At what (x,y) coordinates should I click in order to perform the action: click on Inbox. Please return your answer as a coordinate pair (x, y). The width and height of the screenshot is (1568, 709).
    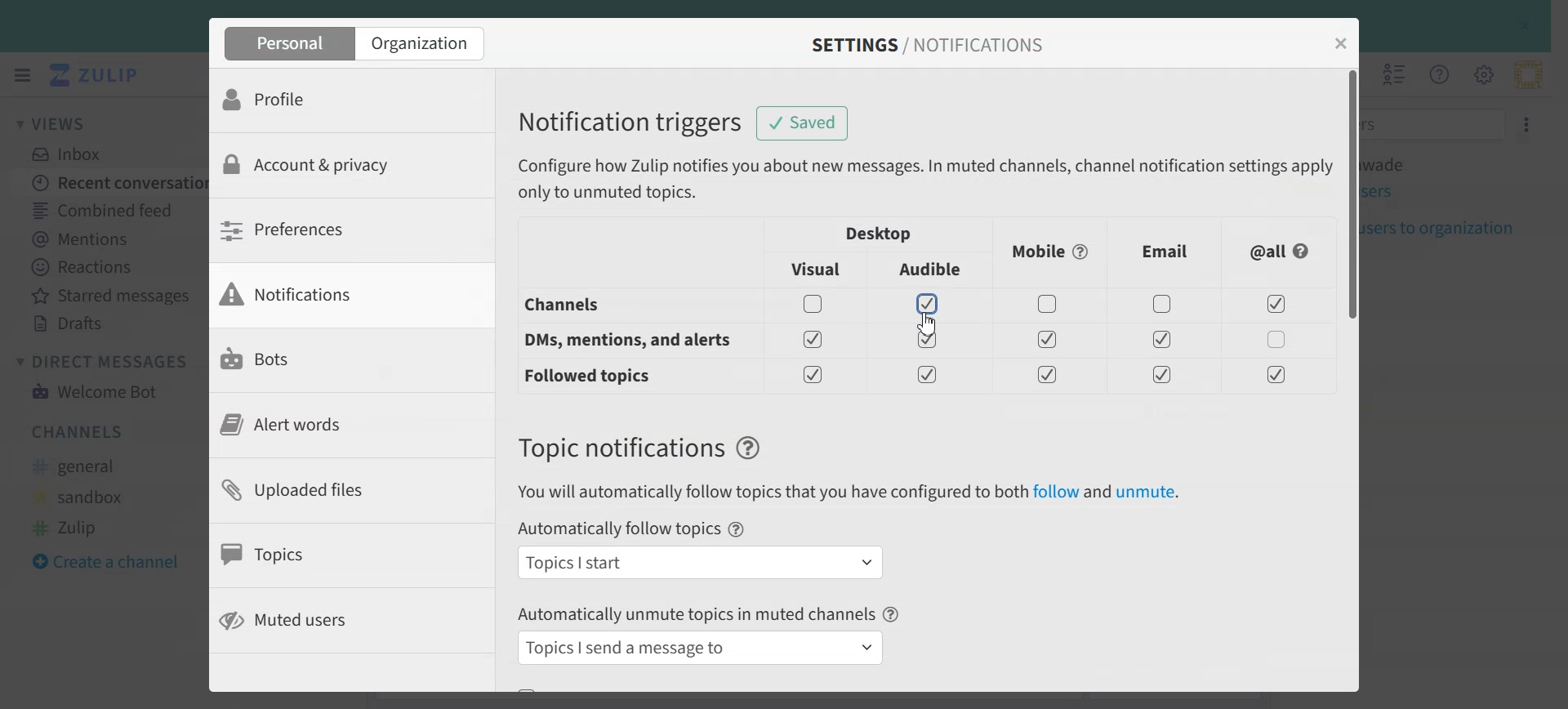
    Looking at the image, I should click on (74, 154).